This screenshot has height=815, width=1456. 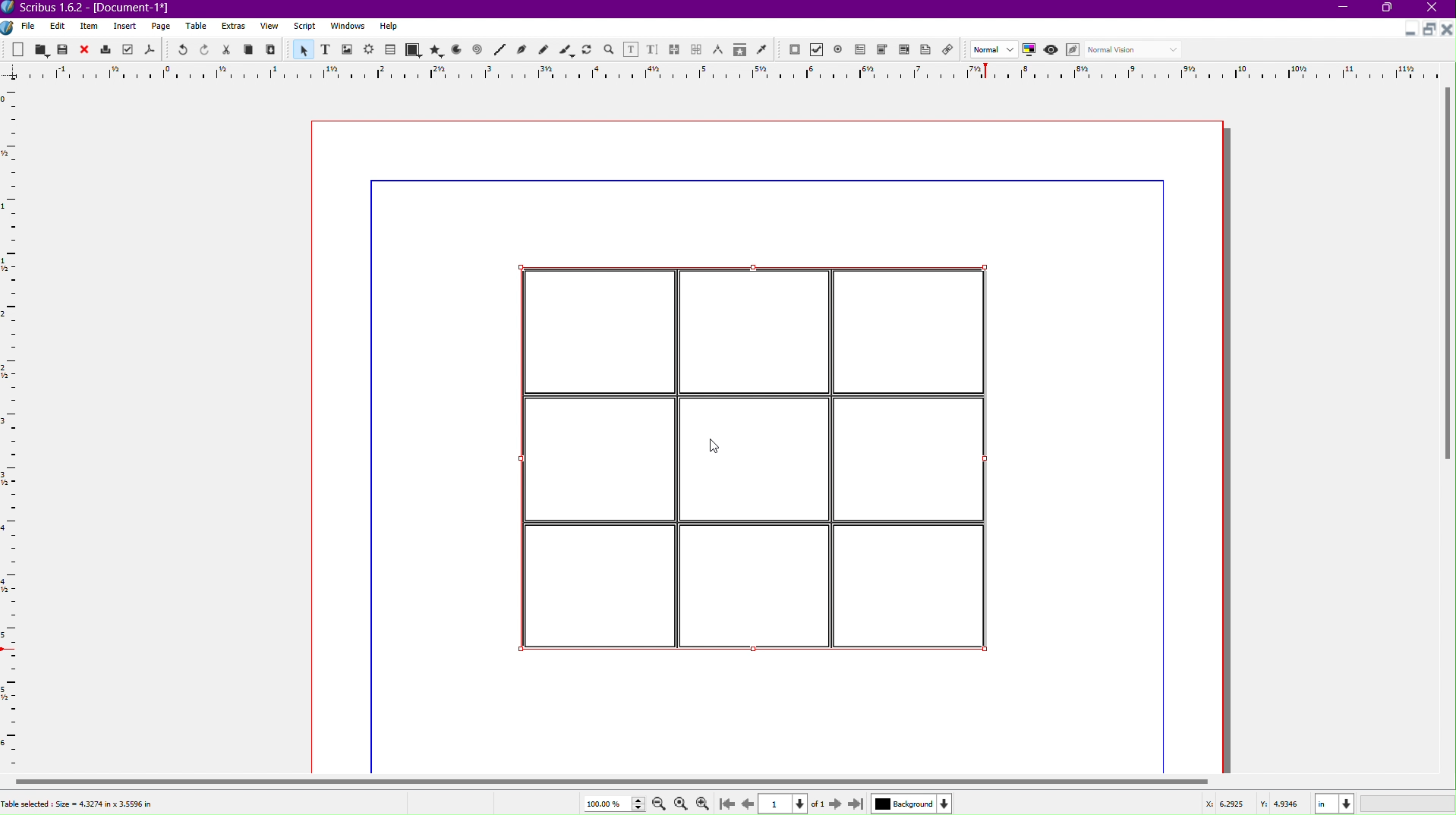 What do you see at coordinates (9, 27) in the screenshot?
I see `Logo` at bounding box center [9, 27].